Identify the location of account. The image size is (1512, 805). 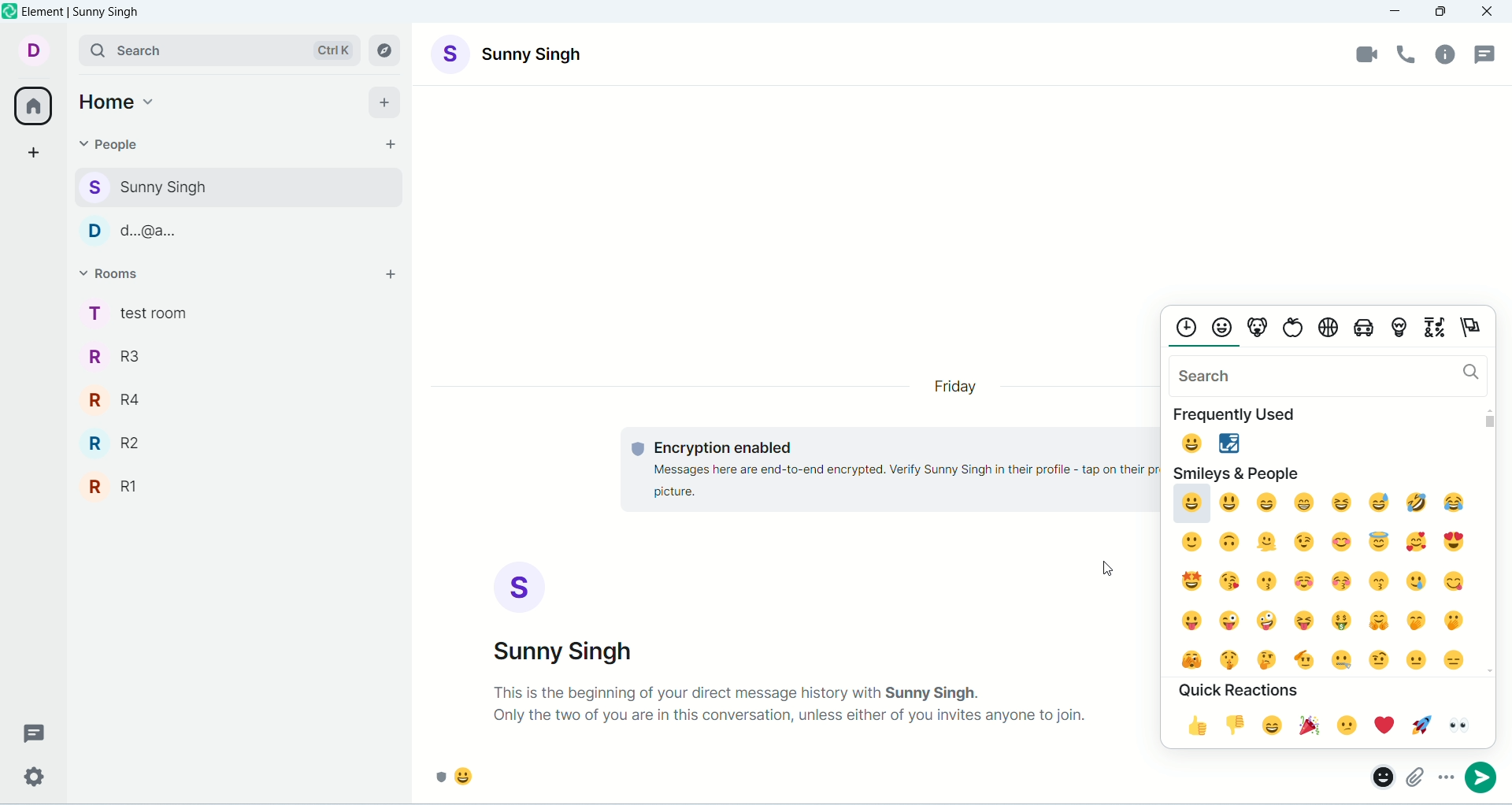
(35, 50).